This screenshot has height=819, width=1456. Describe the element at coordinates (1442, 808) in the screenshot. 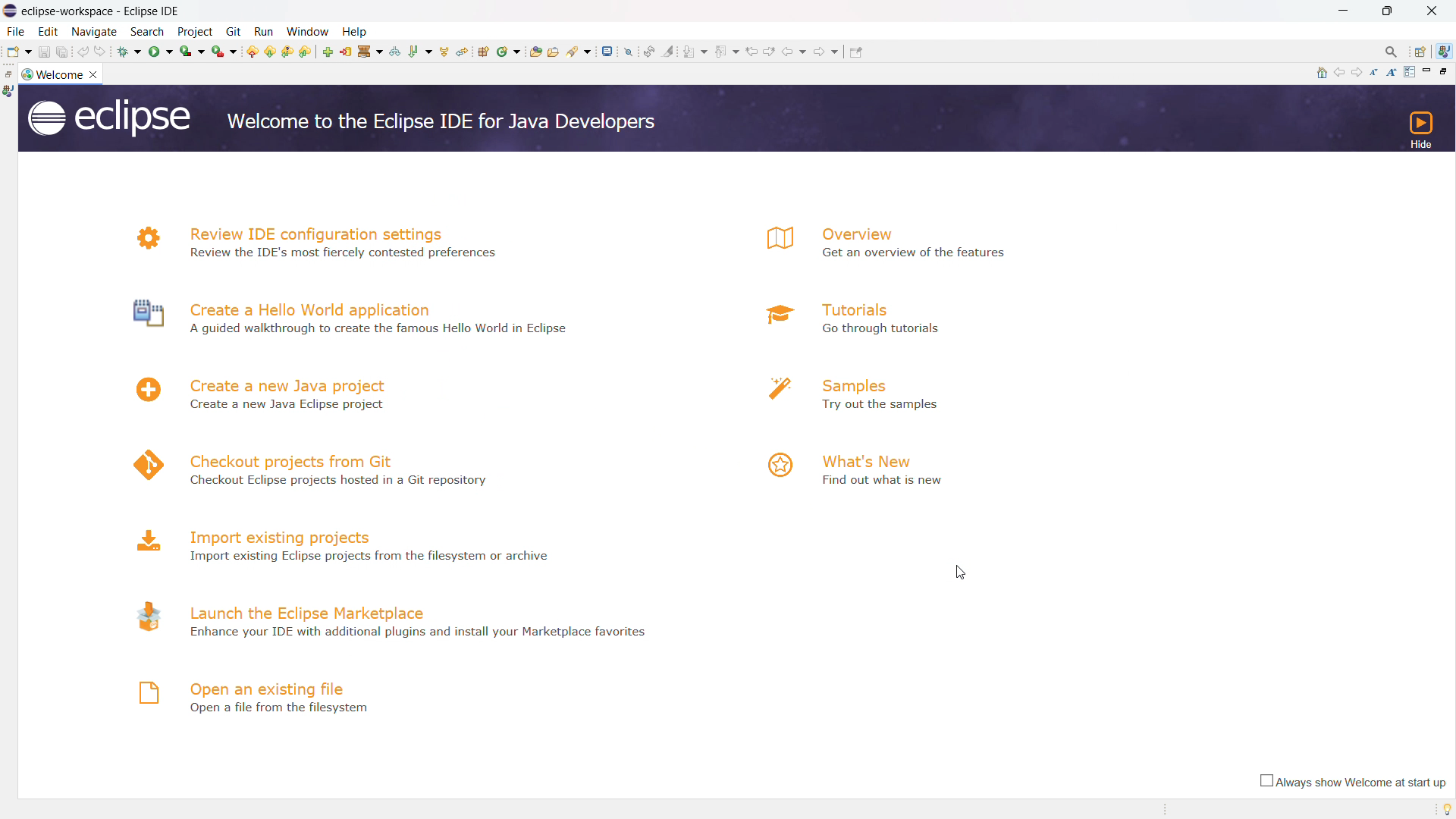

I see `tip of the day` at that location.